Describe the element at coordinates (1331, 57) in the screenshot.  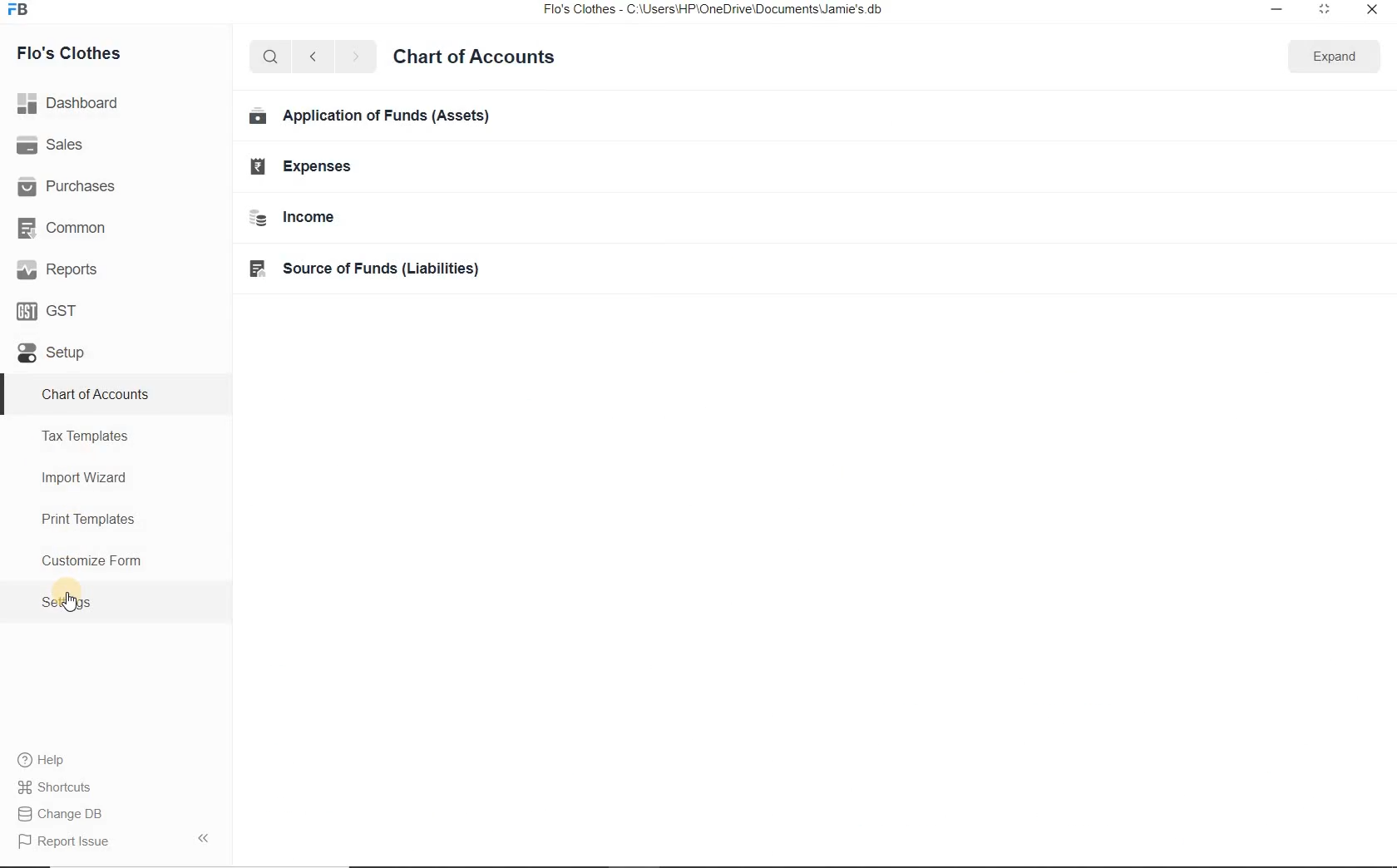
I see `Expand` at that location.